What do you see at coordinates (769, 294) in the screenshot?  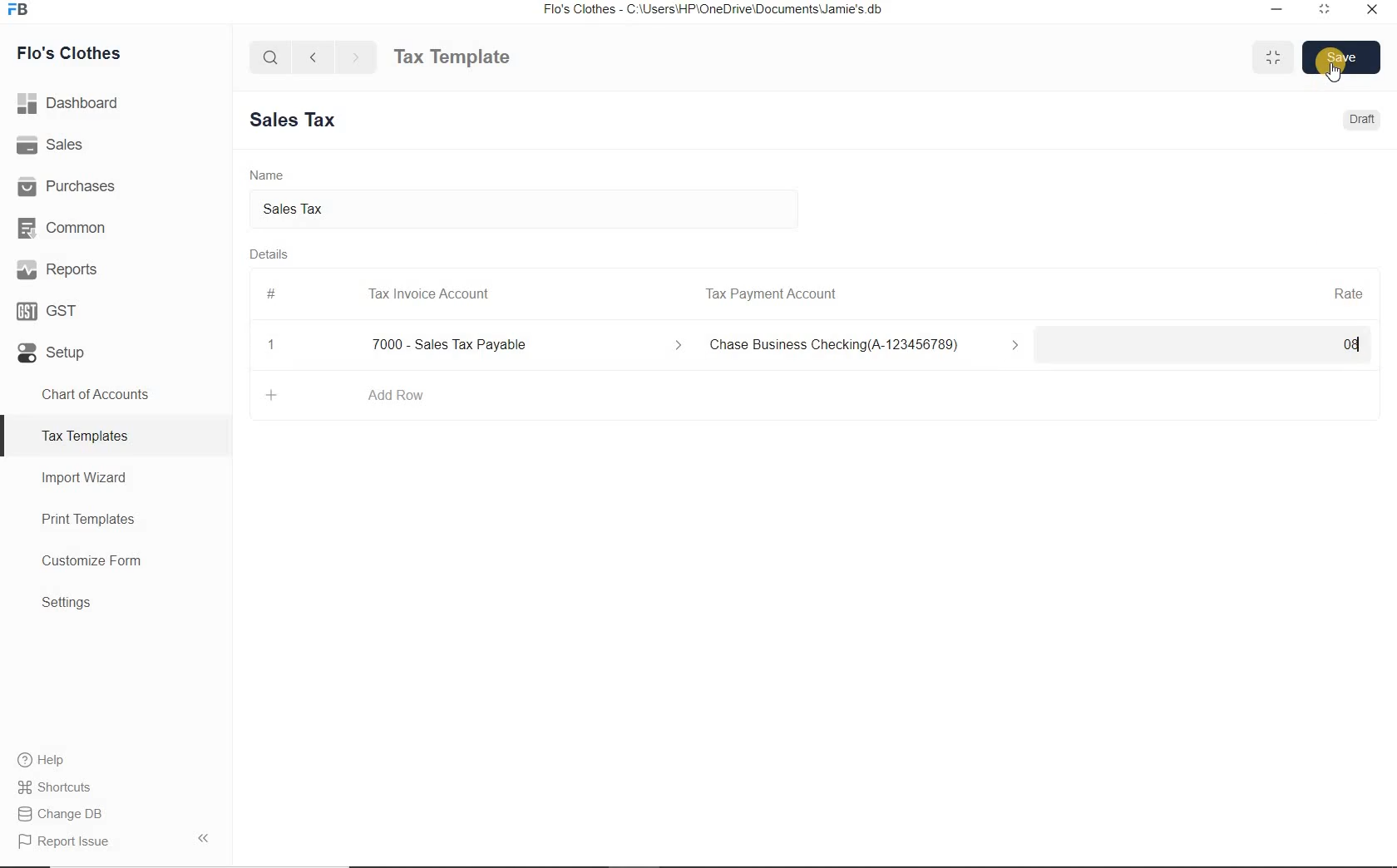 I see `Tax Payment Account` at bounding box center [769, 294].